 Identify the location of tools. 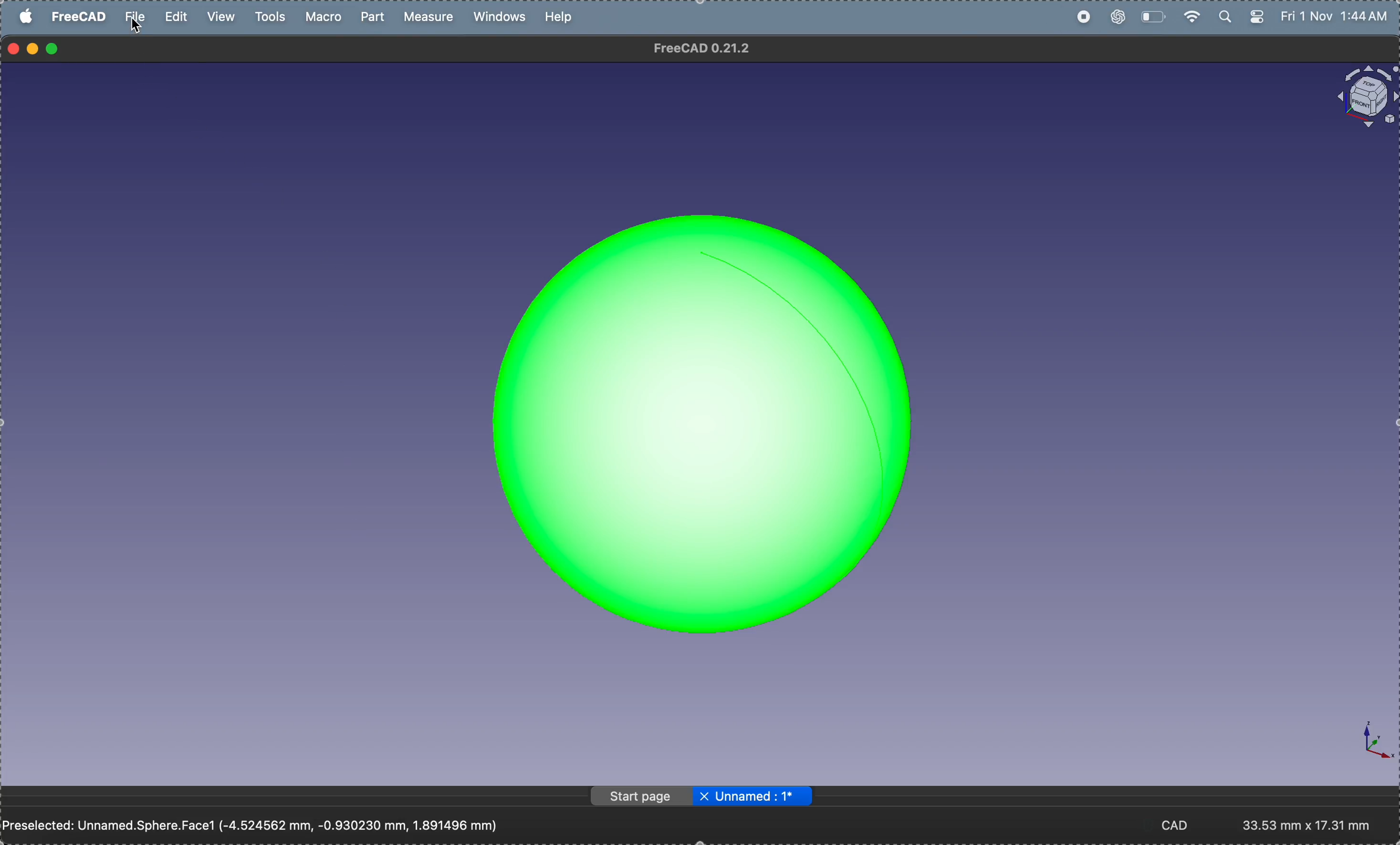
(270, 17).